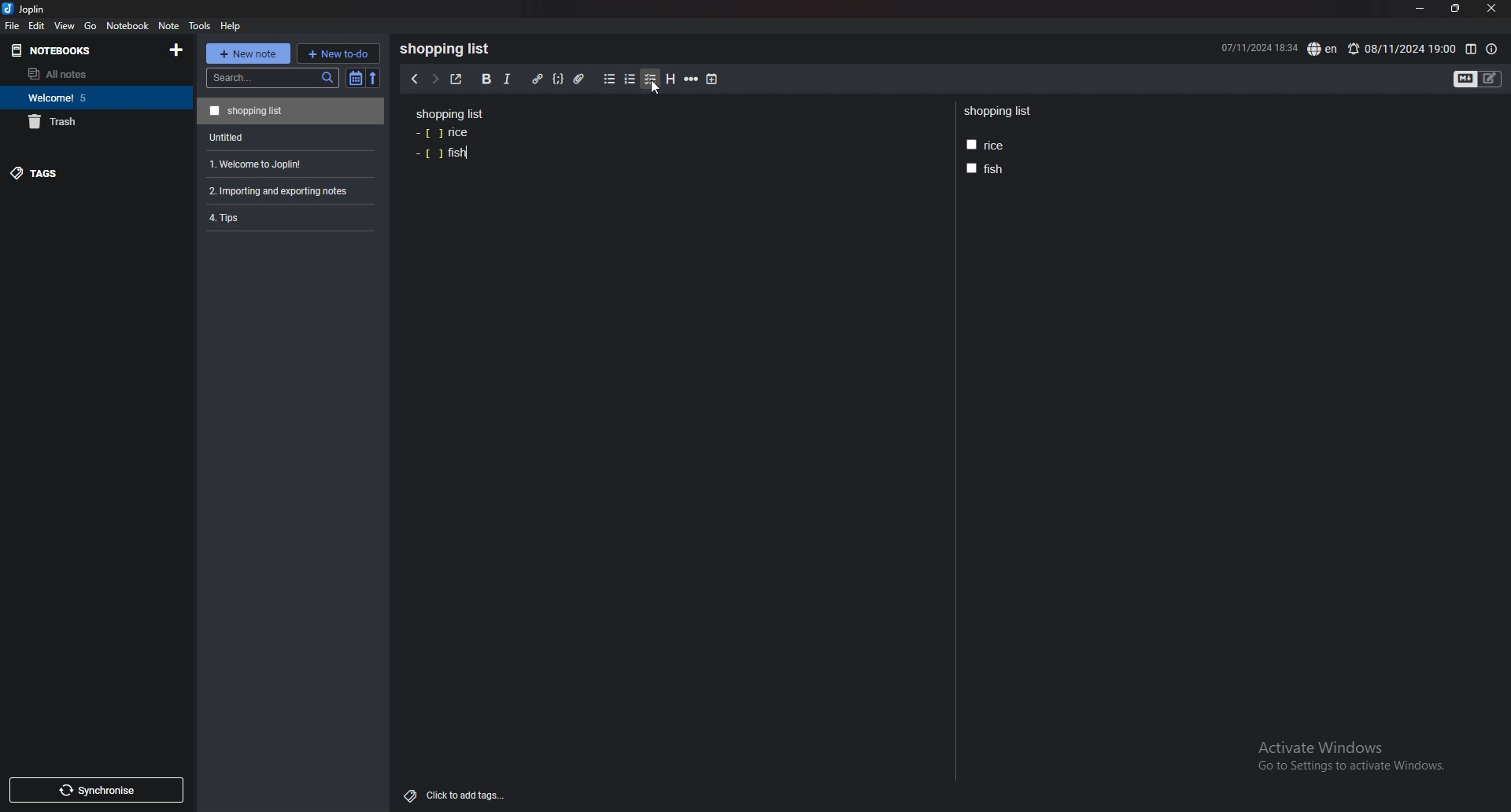 This screenshot has height=812, width=1511. What do you see at coordinates (691, 79) in the screenshot?
I see `horizontal rule` at bounding box center [691, 79].